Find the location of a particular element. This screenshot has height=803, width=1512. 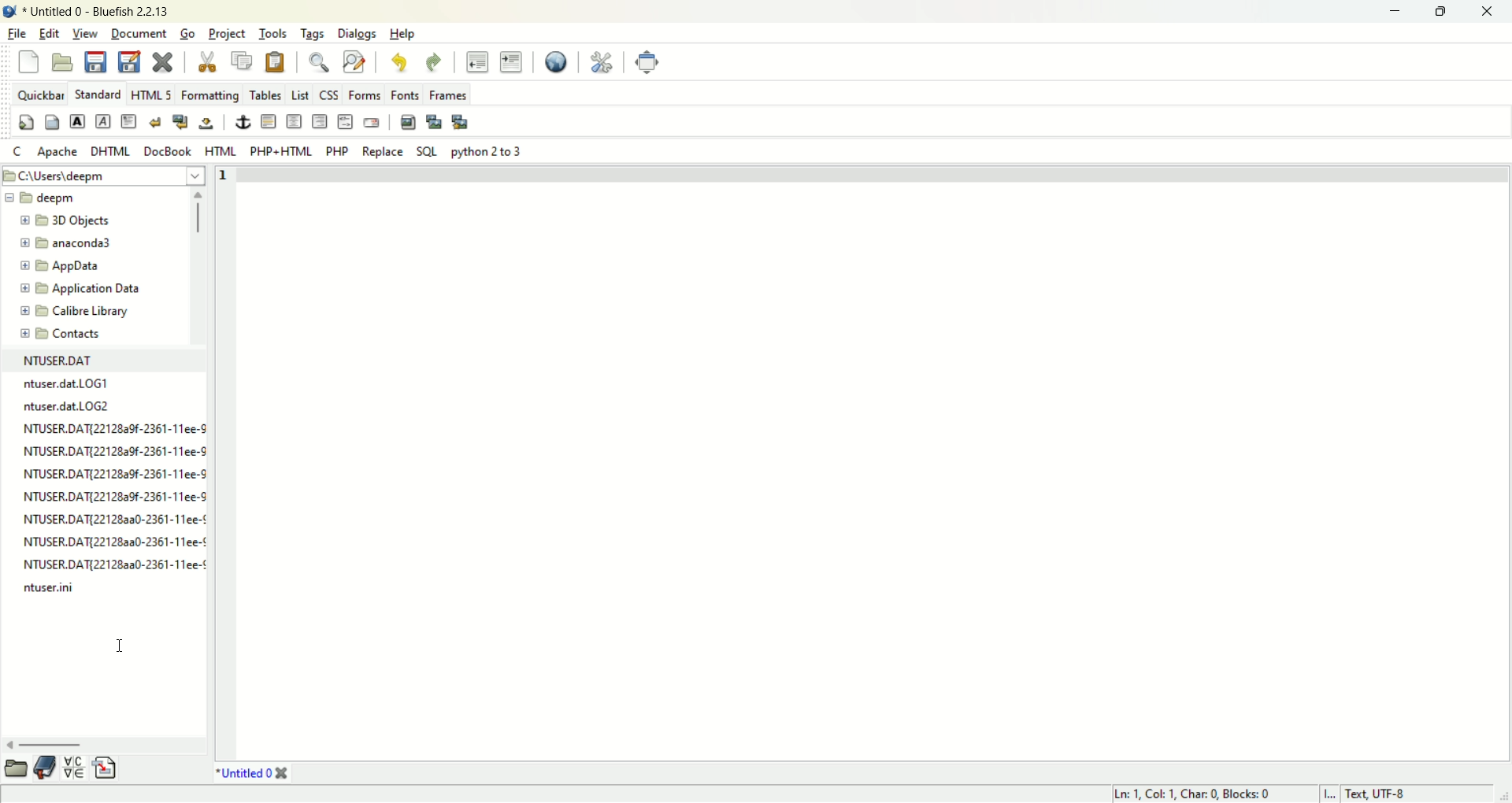

close is located at coordinates (166, 61).